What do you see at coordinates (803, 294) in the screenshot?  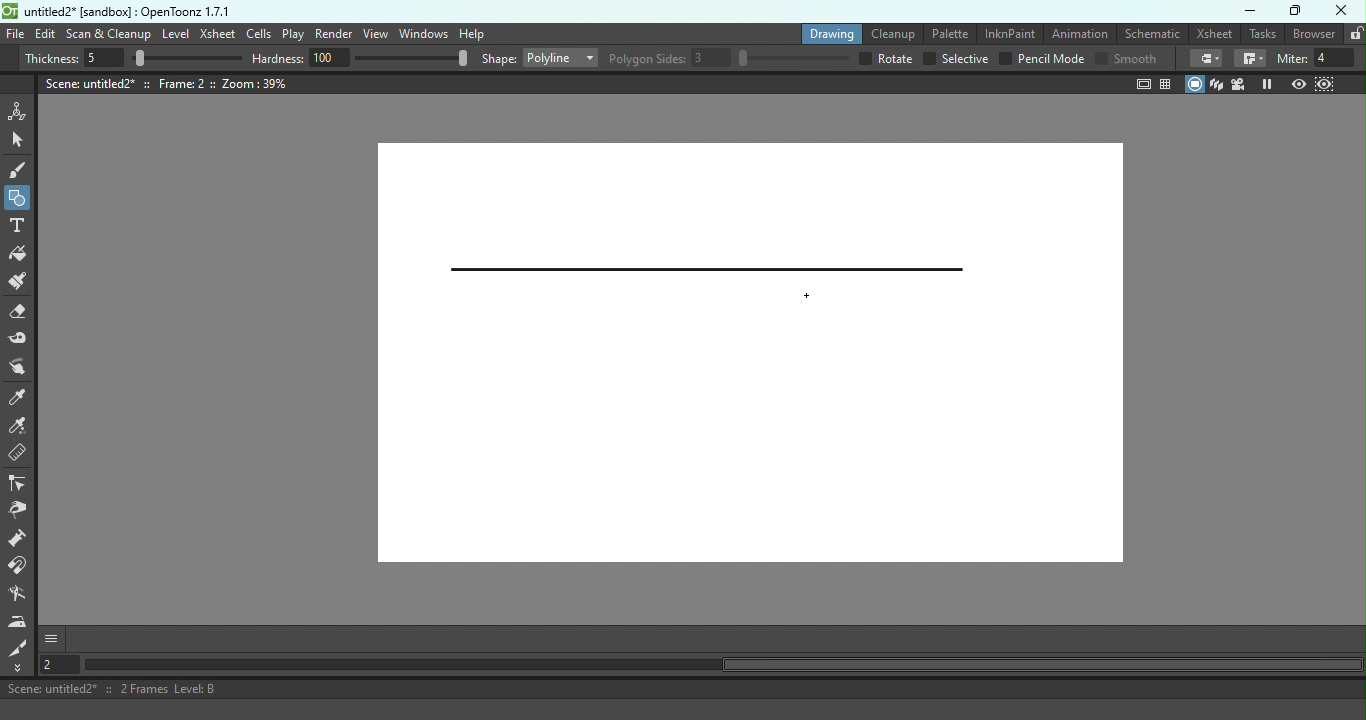 I see `Cursor` at bounding box center [803, 294].